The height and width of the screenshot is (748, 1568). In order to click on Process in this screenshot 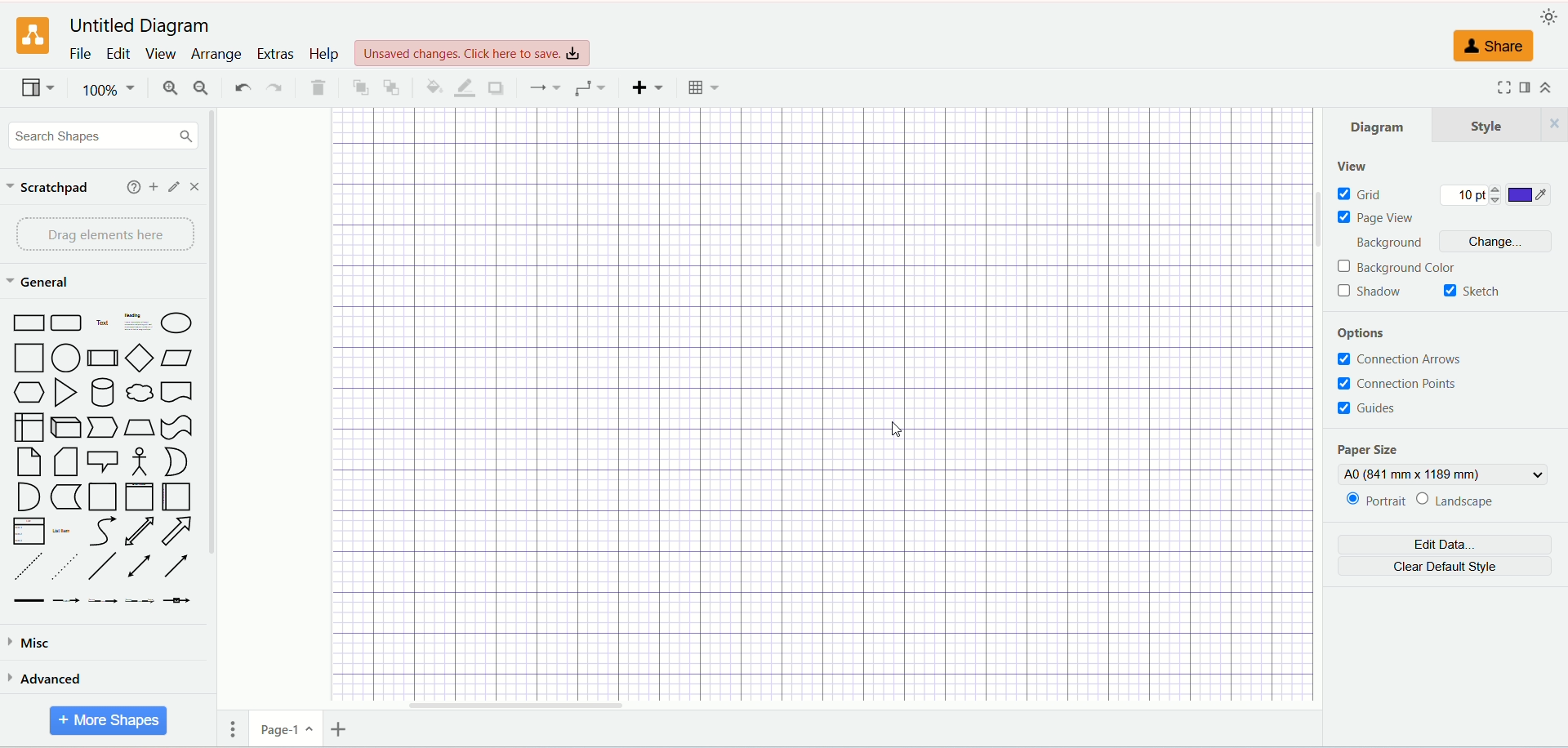, I will do `click(104, 361)`.